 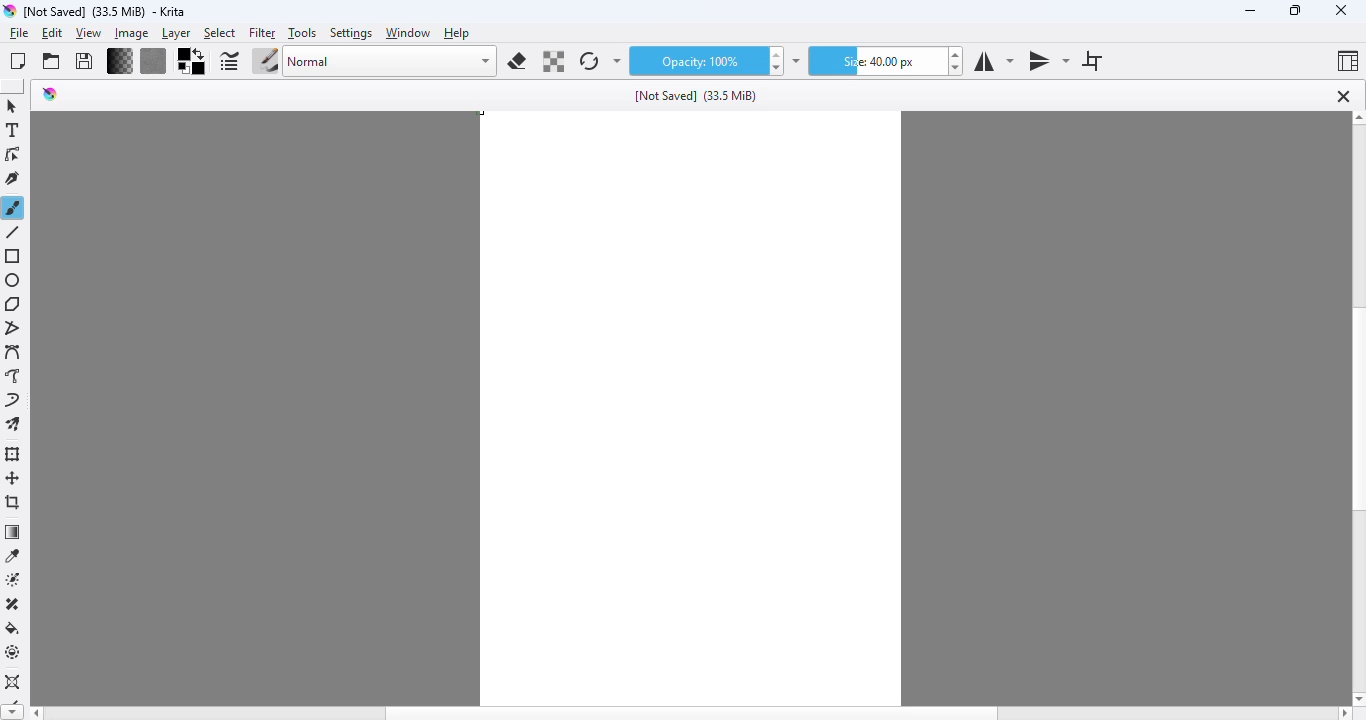 What do you see at coordinates (266, 61) in the screenshot?
I see `choose brush preset` at bounding box center [266, 61].